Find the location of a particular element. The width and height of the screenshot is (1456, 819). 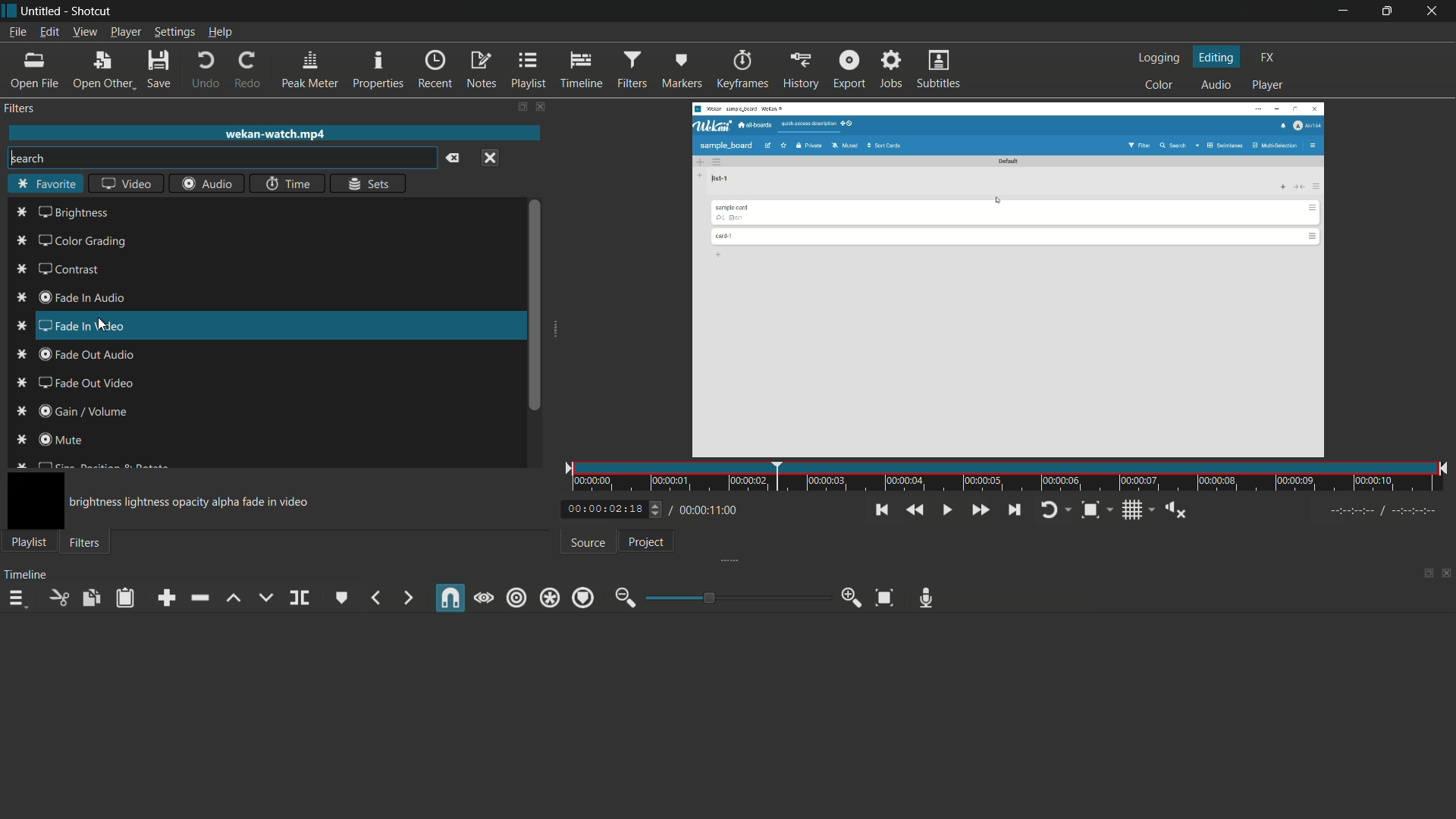

fade out audio is located at coordinates (72, 355).